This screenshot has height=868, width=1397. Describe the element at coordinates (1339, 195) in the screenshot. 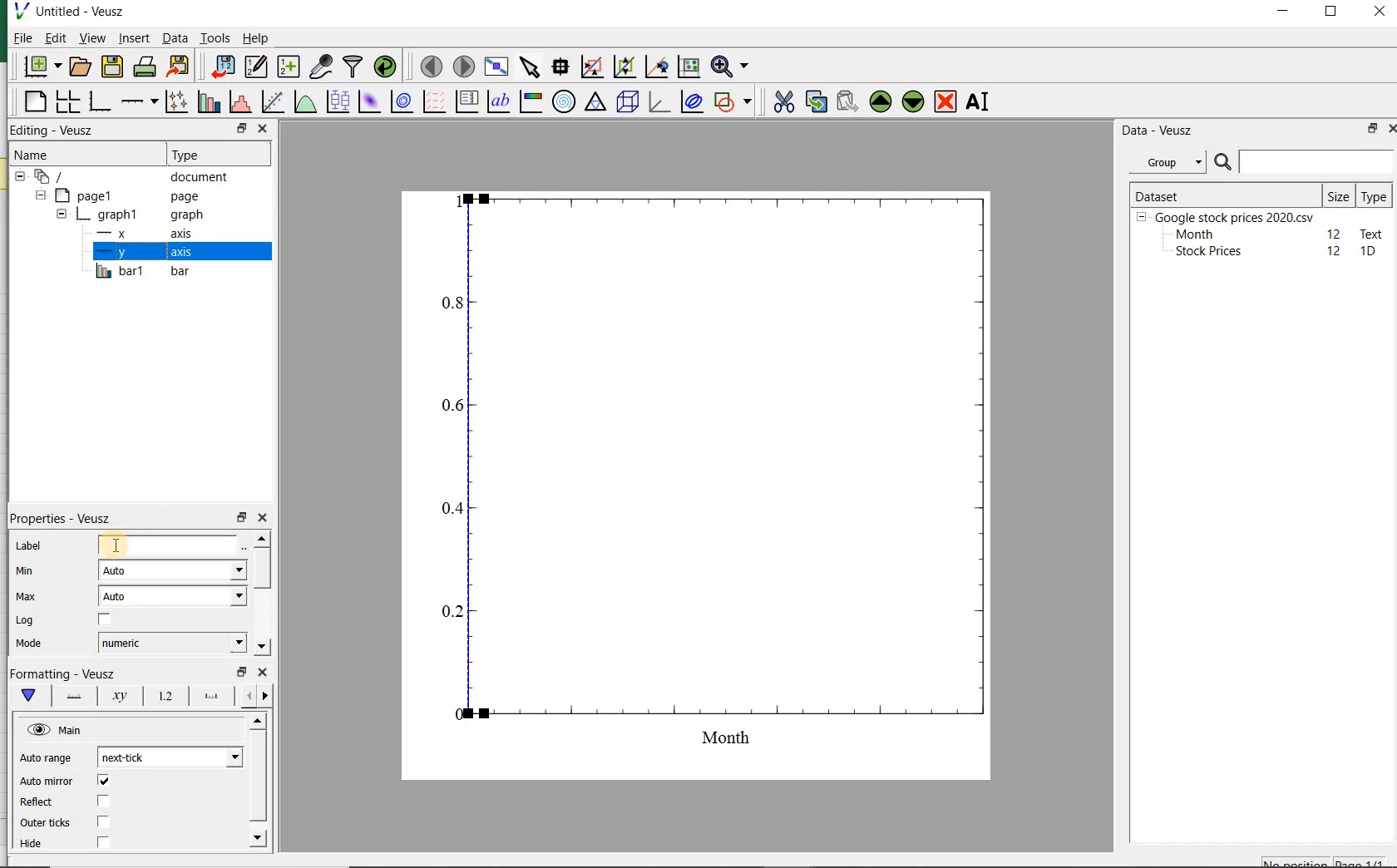

I see `Size` at that location.